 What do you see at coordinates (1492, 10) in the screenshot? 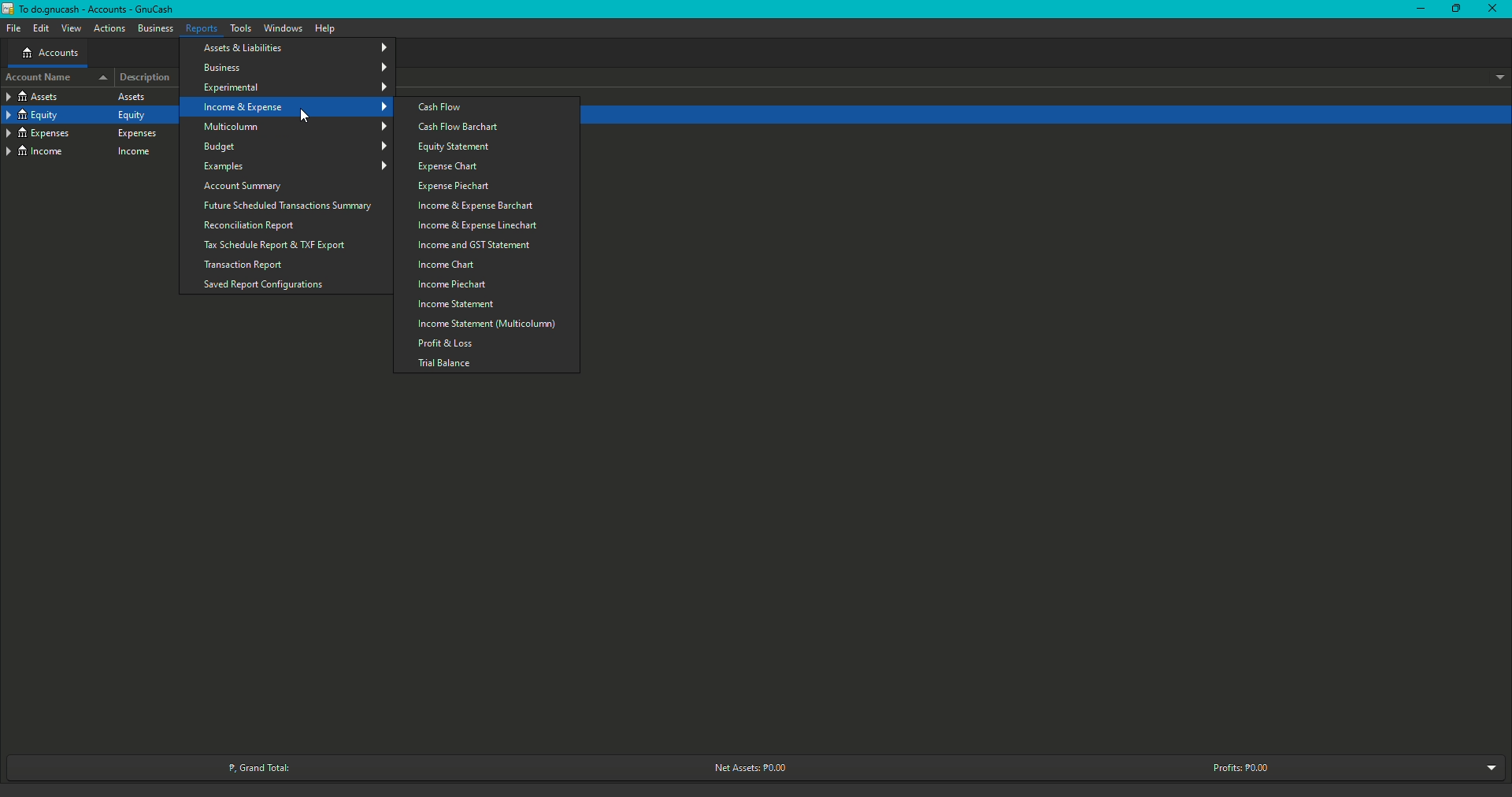
I see `Close` at bounding box center [1492, 10].